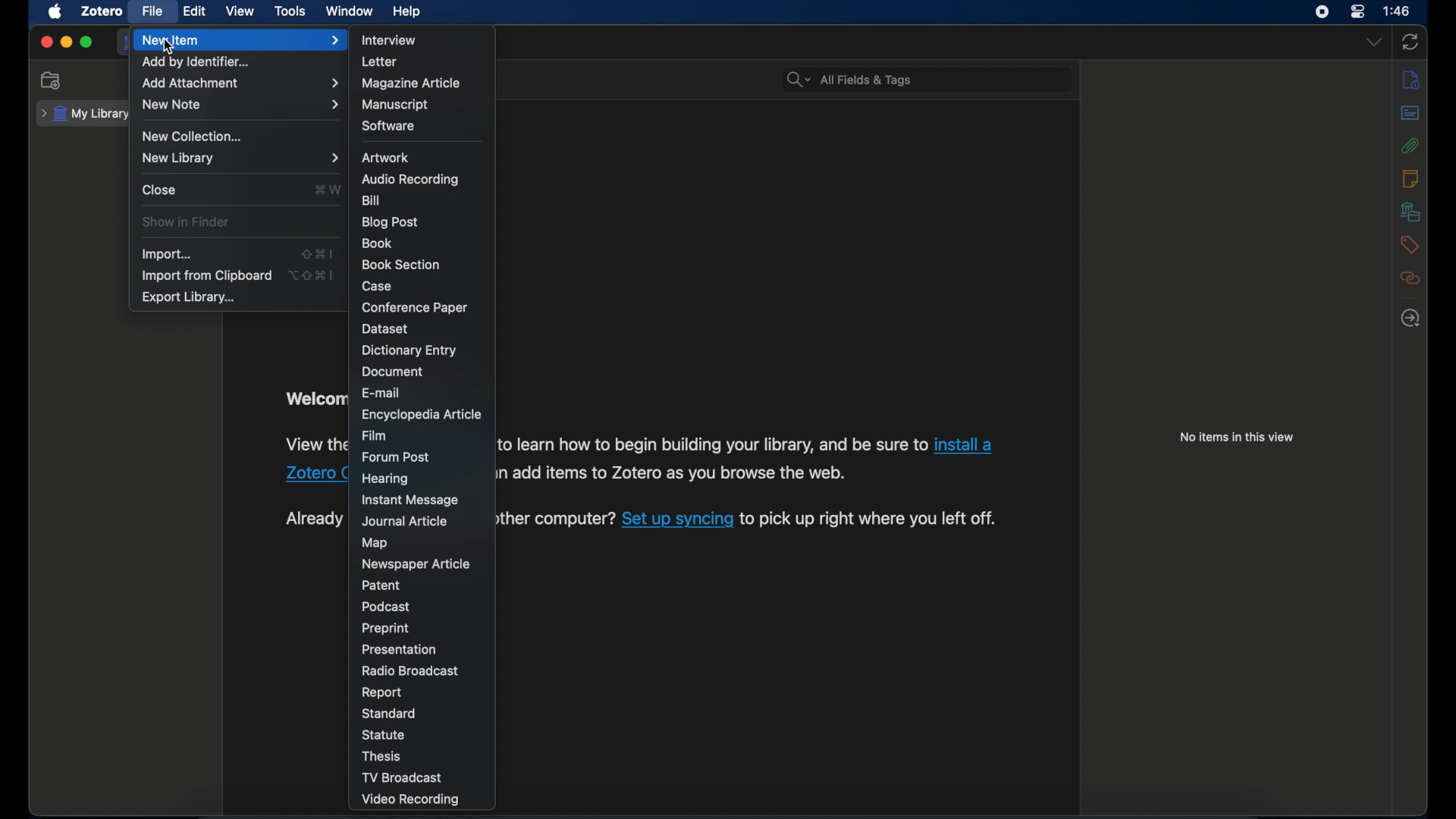 Image resolution: width=1456 pixels, height=819 pixels. I want to click on interview, so click(390, 40).